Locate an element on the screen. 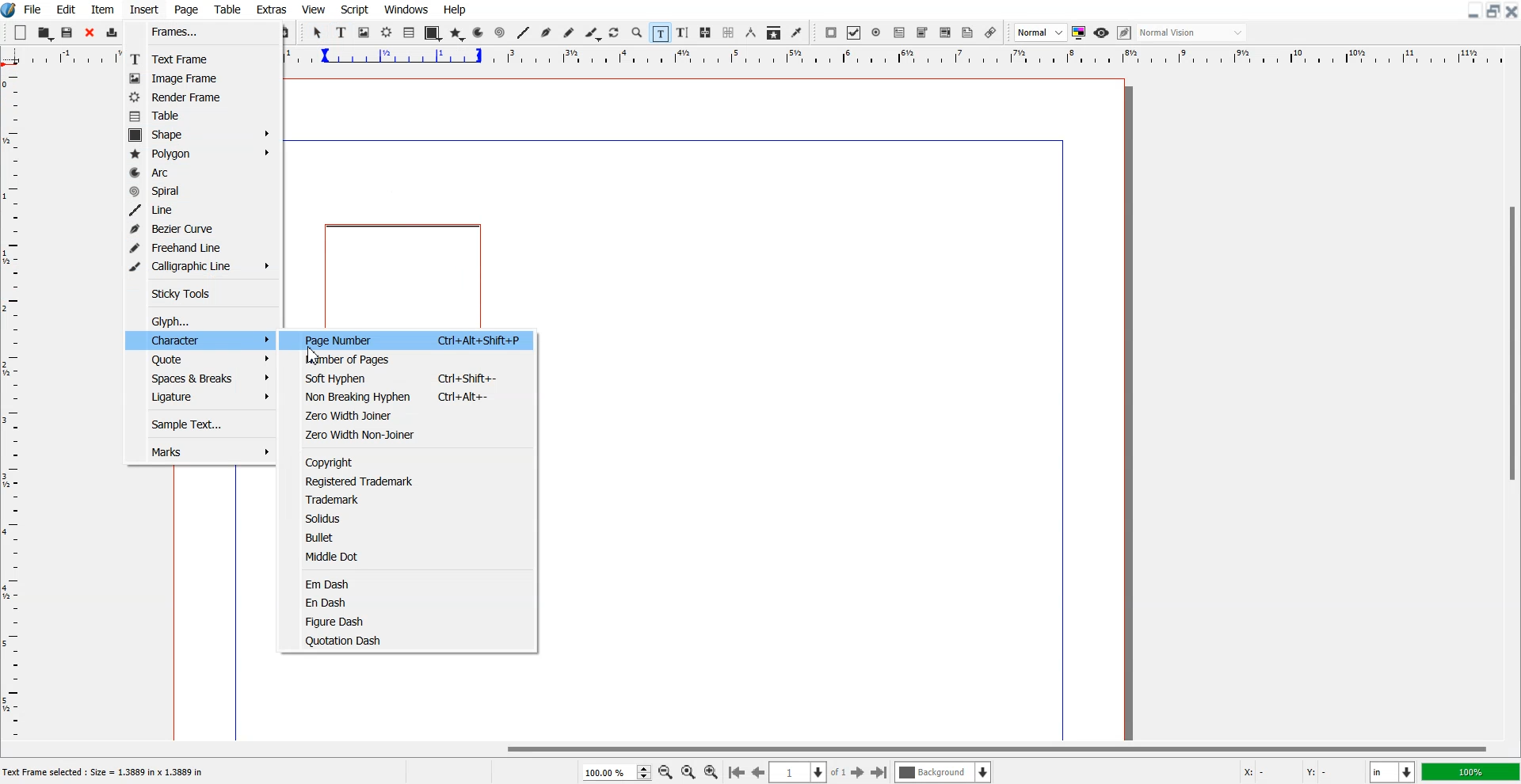  Text Annotation is located at coordinates (967, 33).